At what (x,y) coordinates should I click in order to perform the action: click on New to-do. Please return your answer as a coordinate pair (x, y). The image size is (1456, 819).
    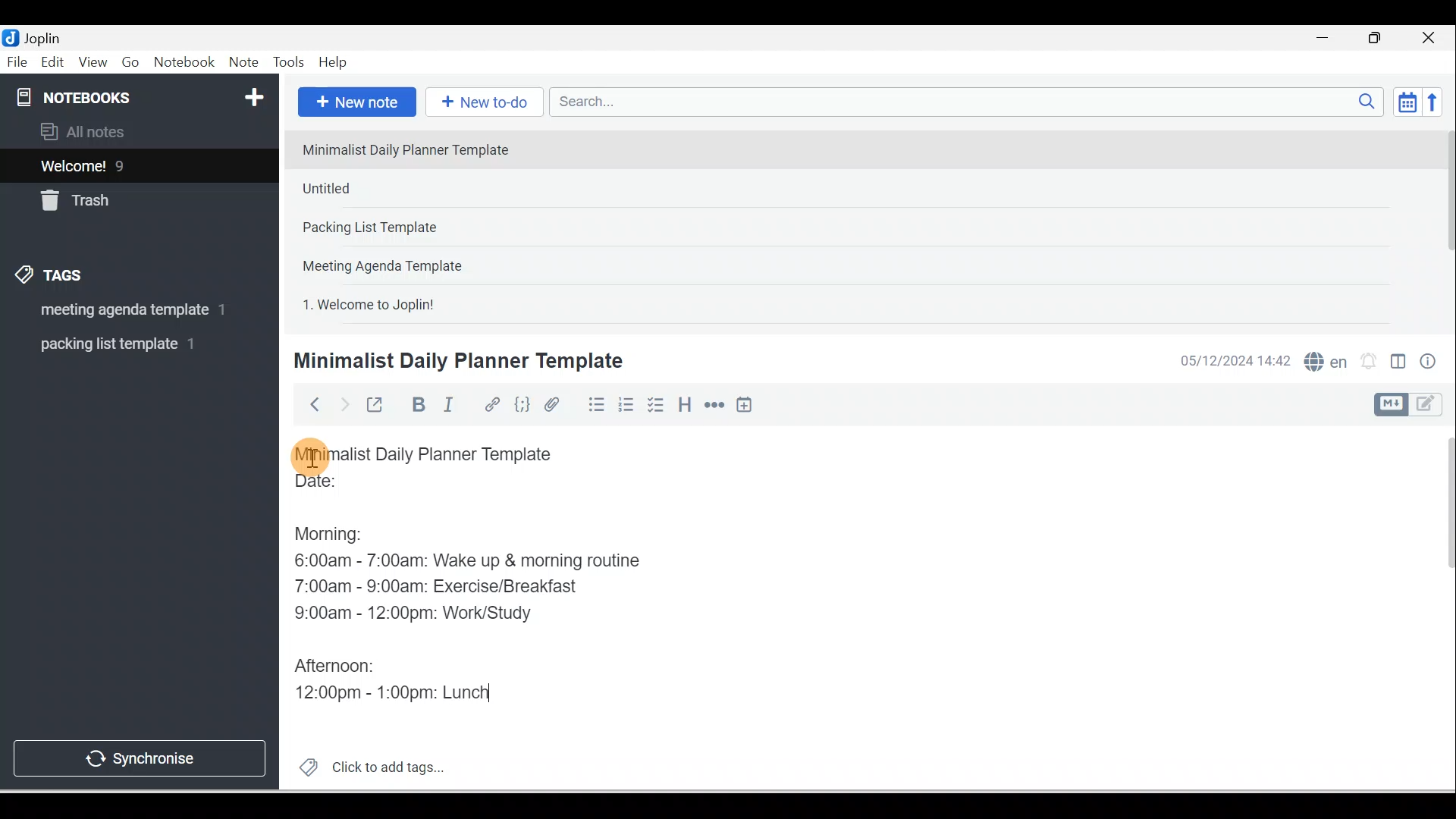
    Looking at the image, I should click on (481, 103).